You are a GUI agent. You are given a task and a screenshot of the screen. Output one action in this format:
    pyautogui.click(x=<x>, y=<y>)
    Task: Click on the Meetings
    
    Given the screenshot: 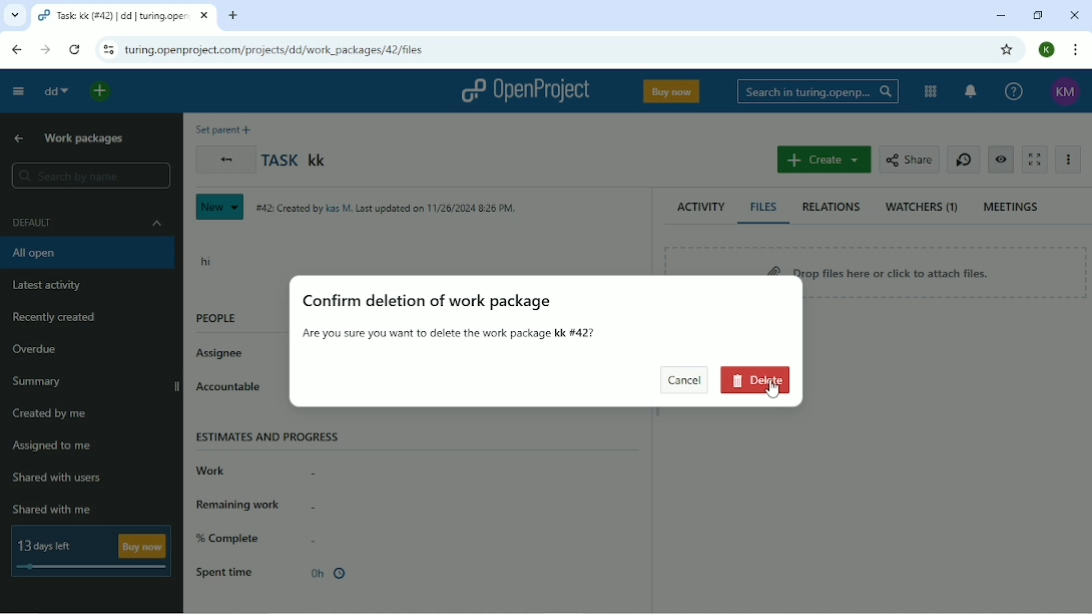 What is the action you would take?
    pyautogui.click(x=1012, y=208)
    